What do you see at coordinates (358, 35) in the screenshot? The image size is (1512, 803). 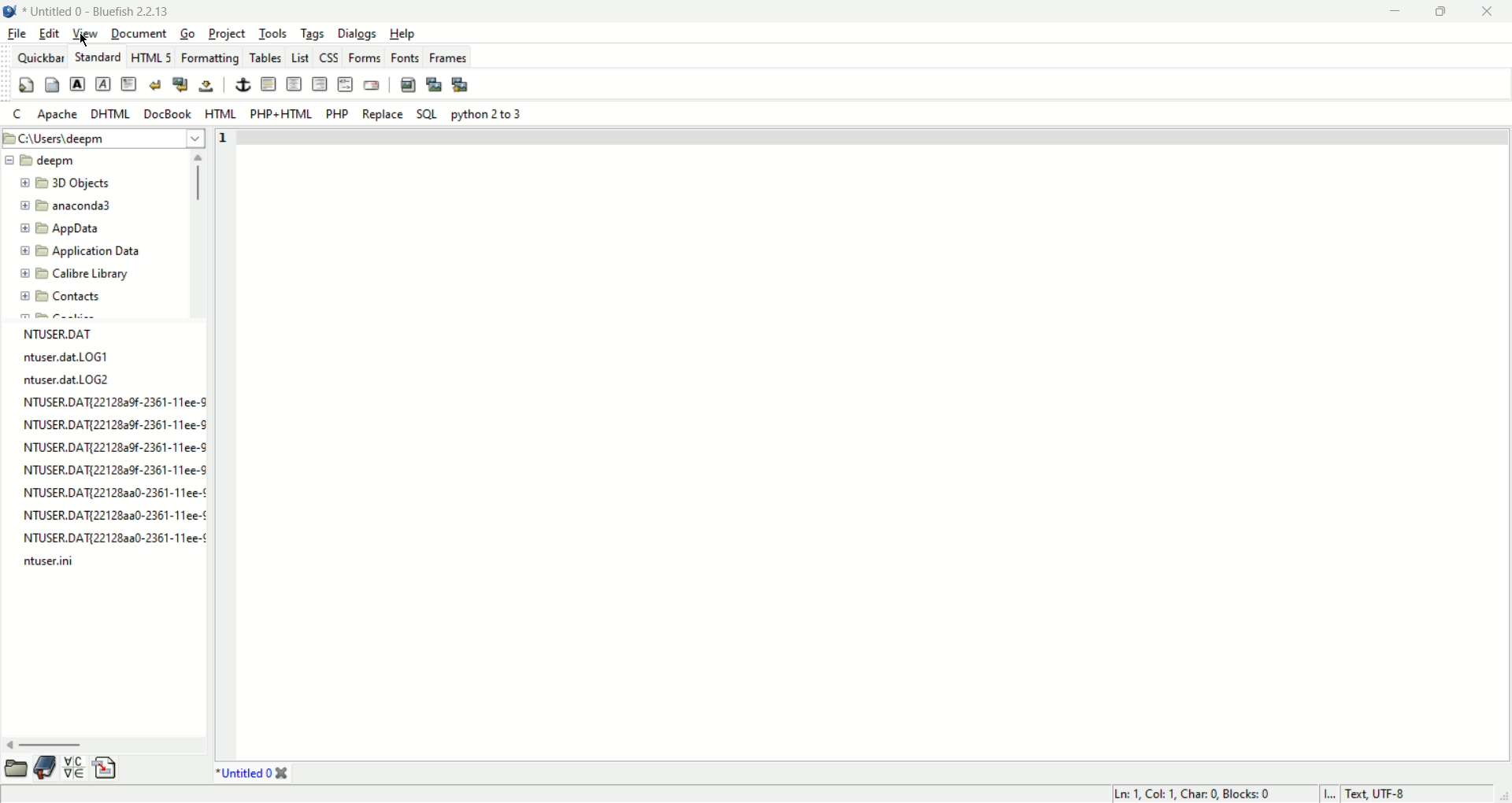 I see `dialogs` at bounding box center [358, 35].